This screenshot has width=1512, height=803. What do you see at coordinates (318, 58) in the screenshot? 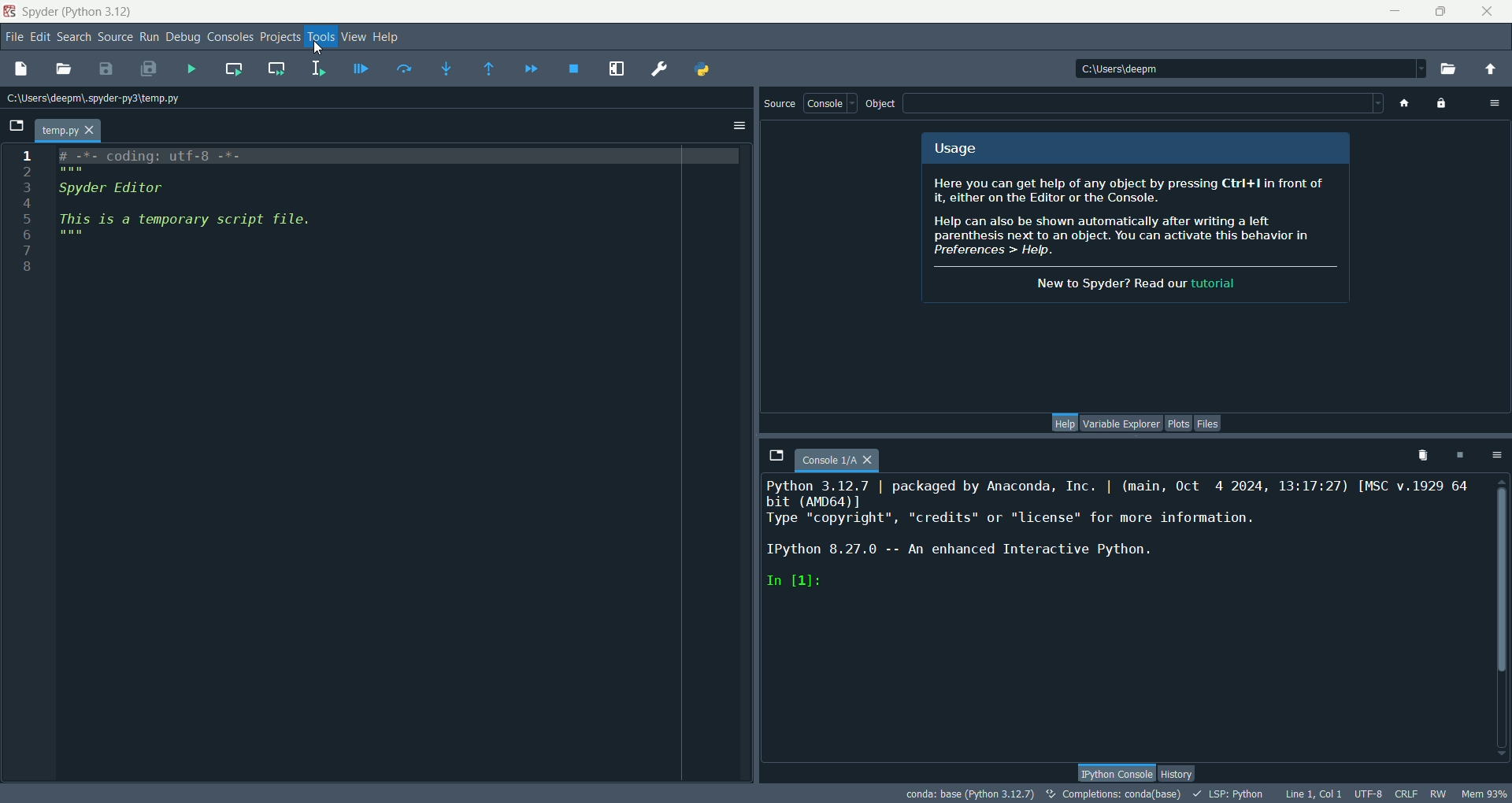
I see `cursor` at bounding box center [318, 58].